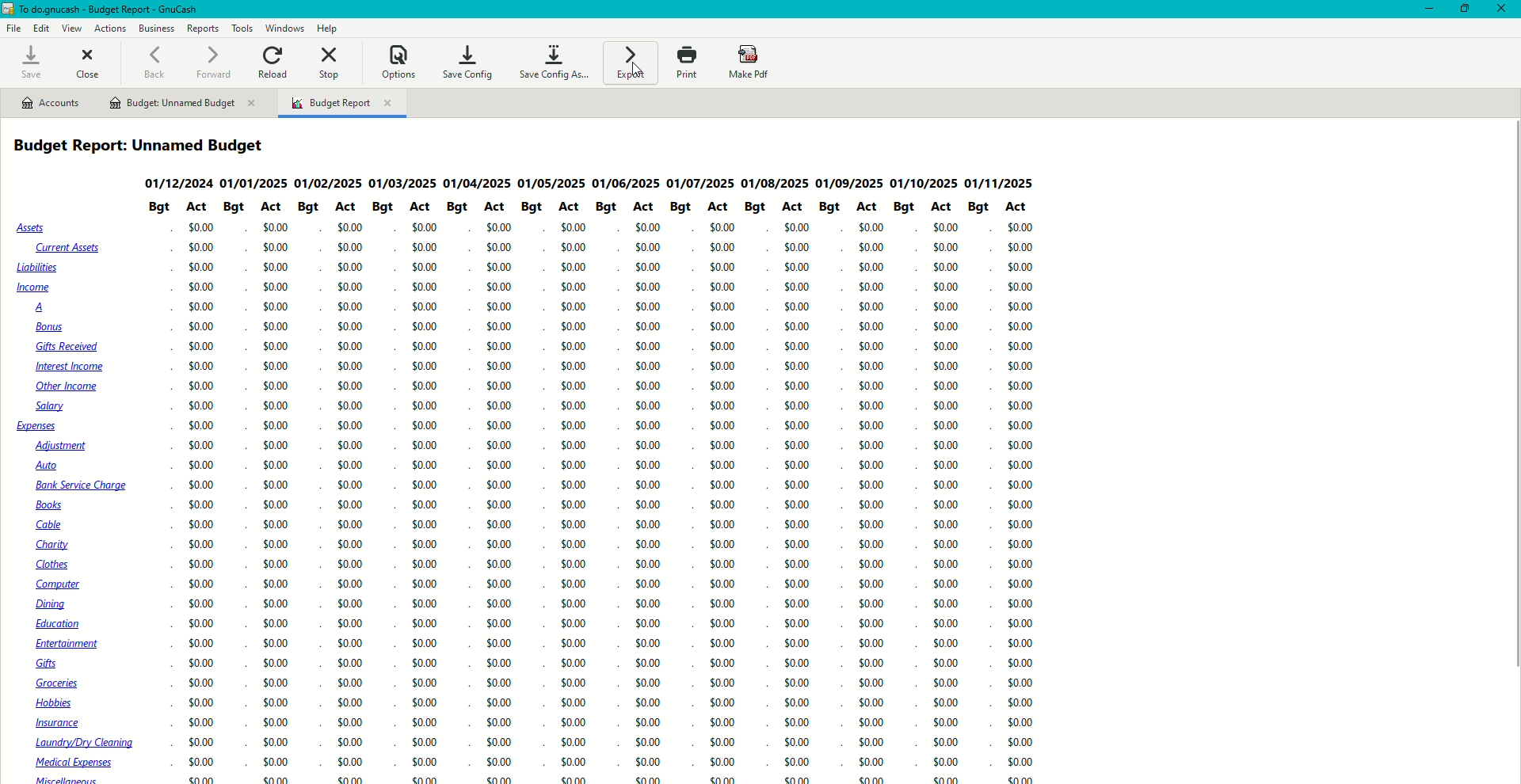 Image resolution: width=1521 pixels, height=784 pixels. I want to click on 0.00, so click(206, 504).